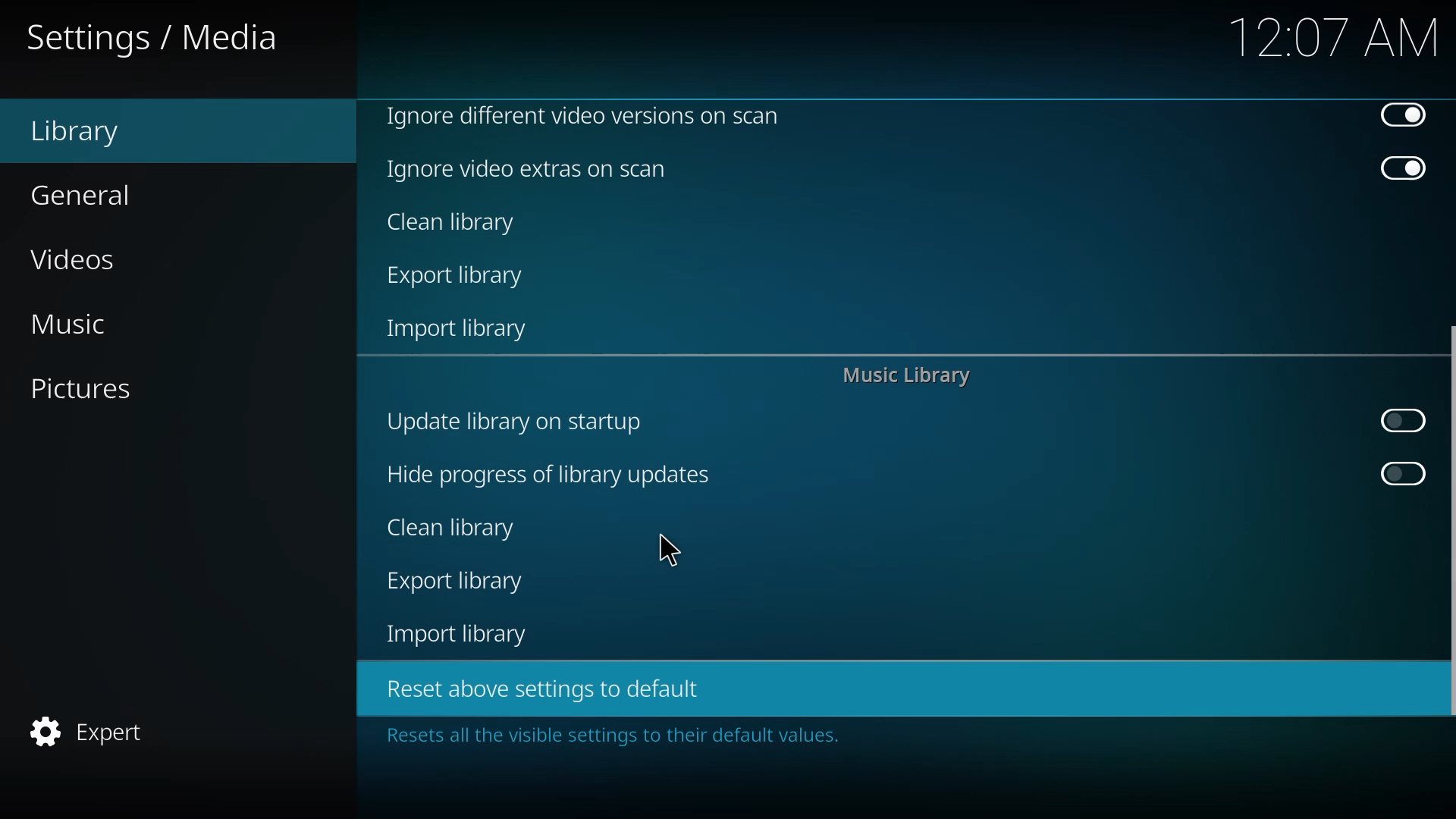  What do you see at coordinates (670, 551) in the screenshot?
I see `cursor` at bounding box center [670, 551].